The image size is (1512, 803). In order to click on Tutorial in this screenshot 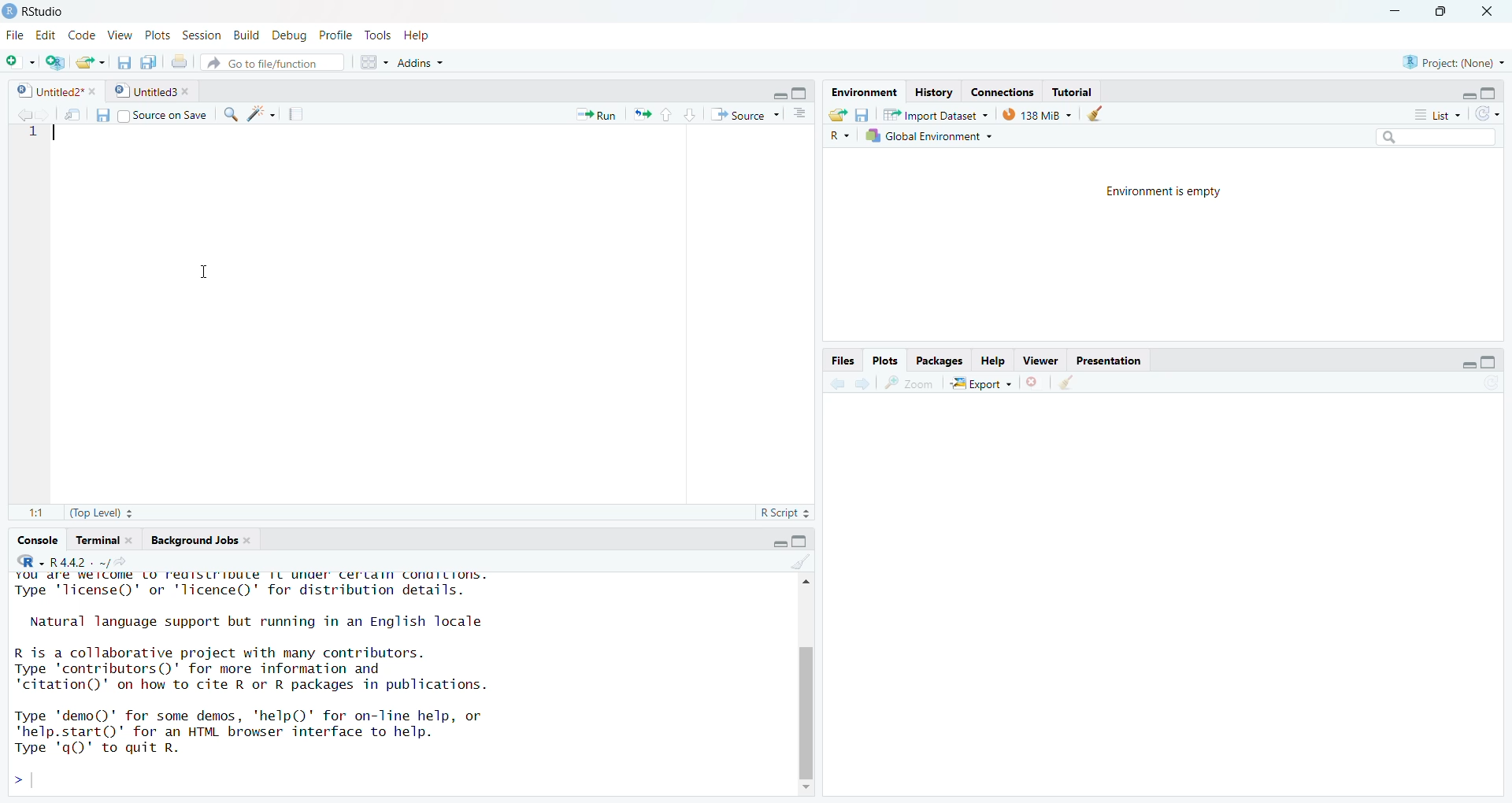, I will do `click(1078, 90)`.